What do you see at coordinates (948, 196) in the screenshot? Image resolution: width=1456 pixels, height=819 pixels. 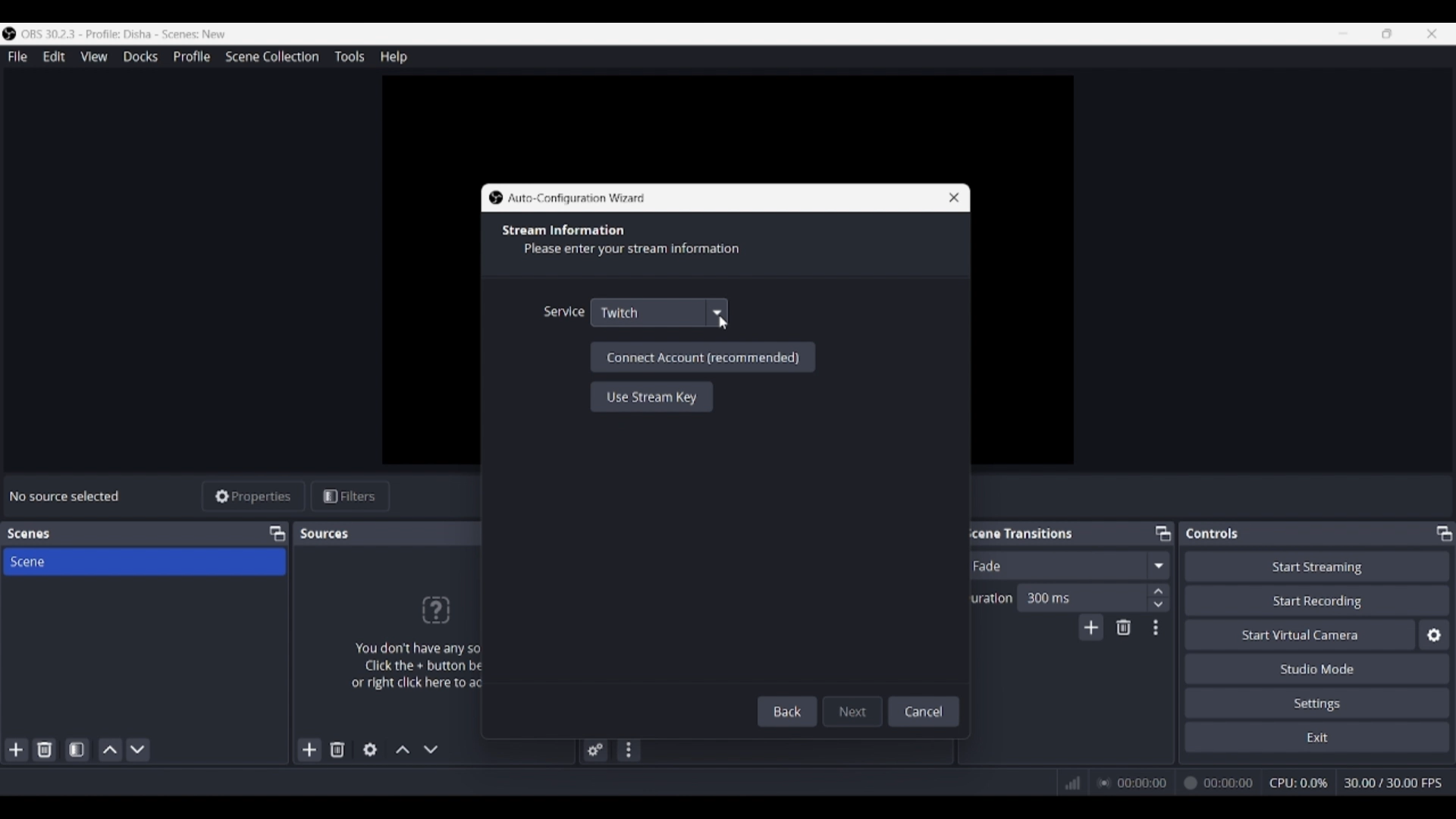 I see `Close` at bounding box center [948, 196].